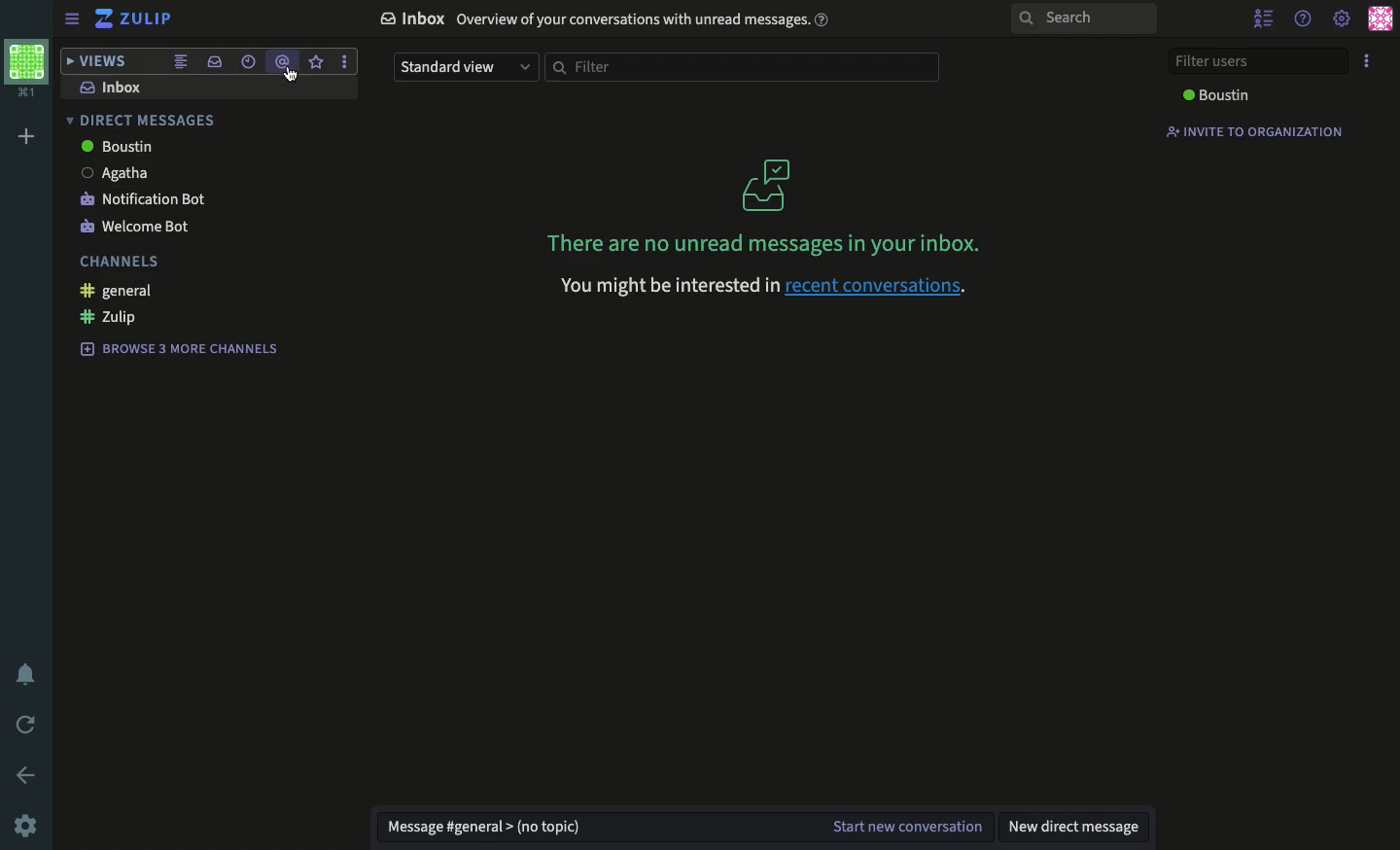 The image size is (1400, 850). What do you see at coordinates (118, 172) in the screenshot?
I see `Agatha` at bounding box center [118, 172].